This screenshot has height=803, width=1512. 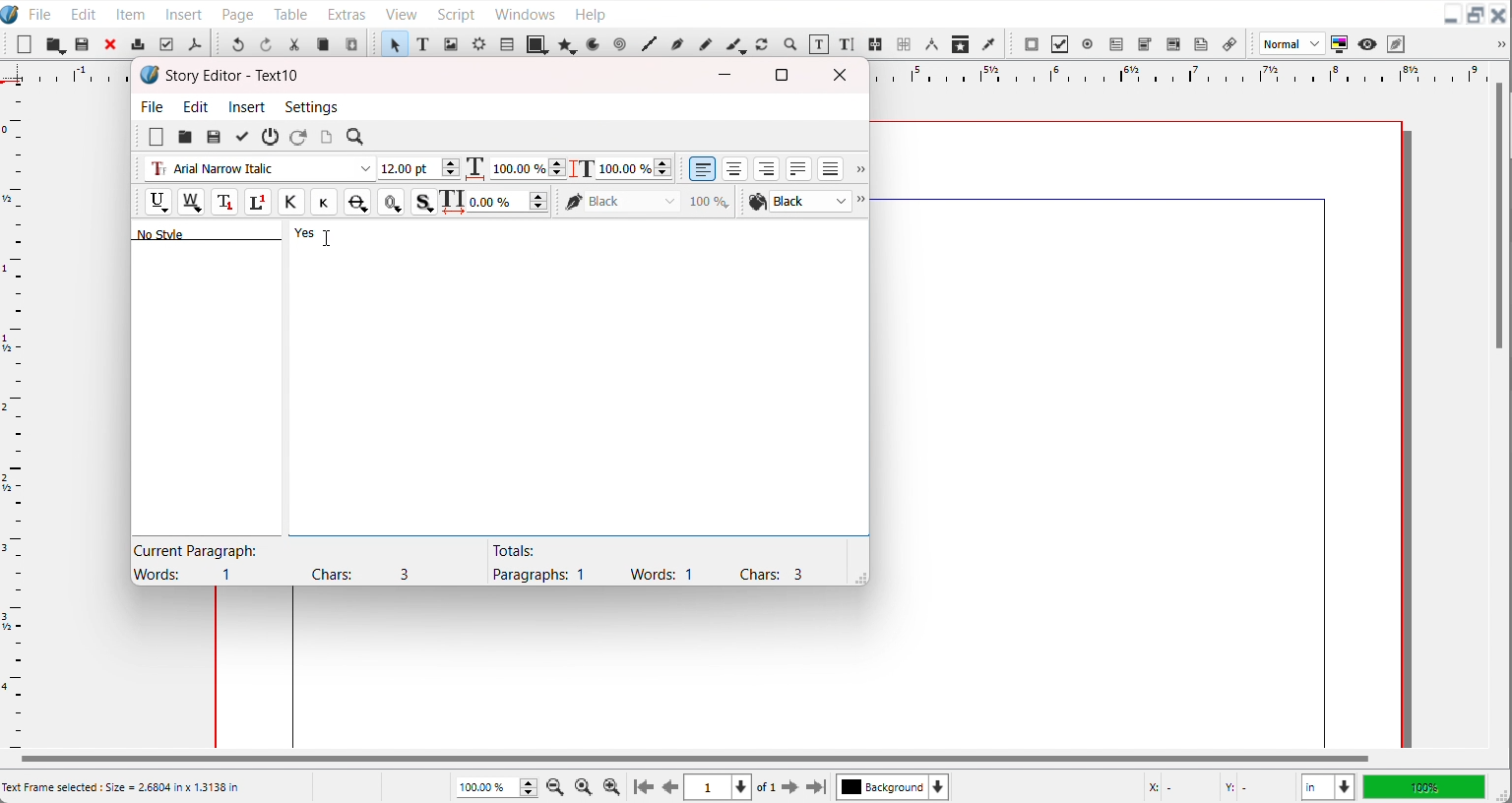 What do you see at coordinates (311, 106) in the screenshot?
I see `Settings` at bounding box center [311, 106].